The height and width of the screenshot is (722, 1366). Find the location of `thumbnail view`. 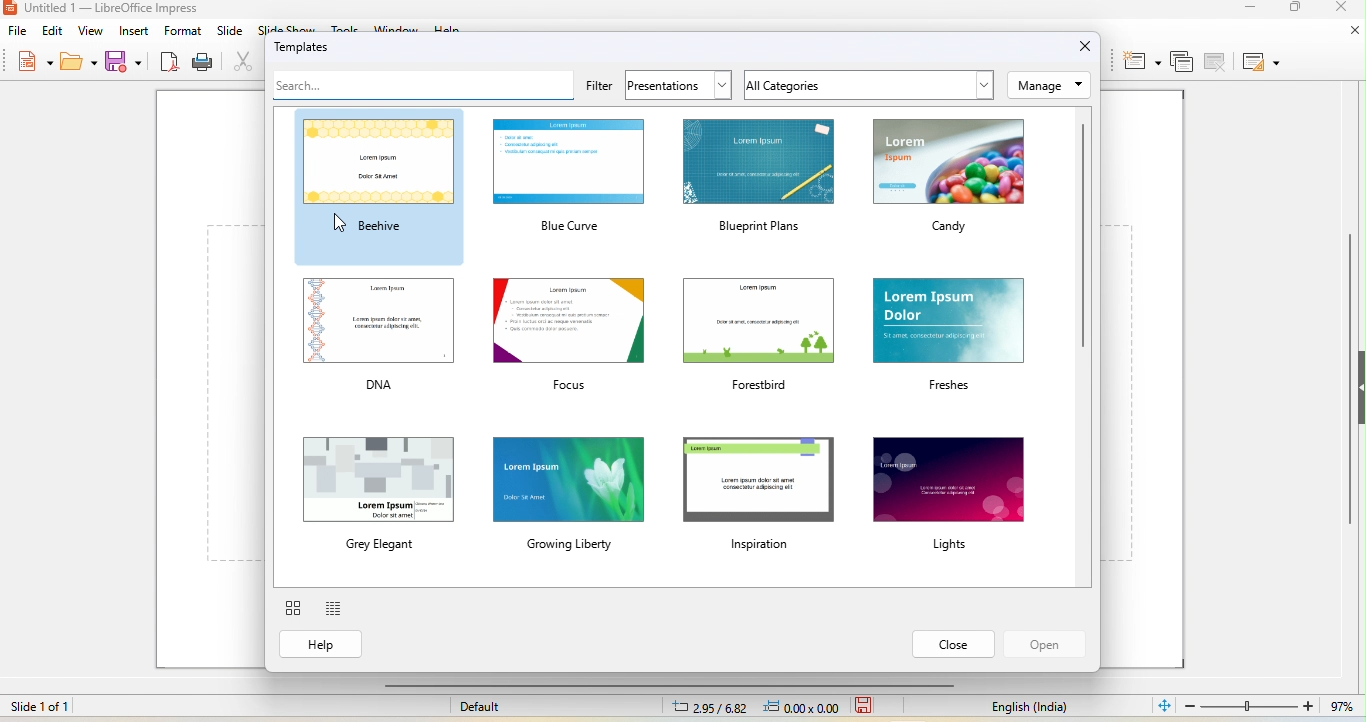

thumbnail view is located at coordinates (293, 608).